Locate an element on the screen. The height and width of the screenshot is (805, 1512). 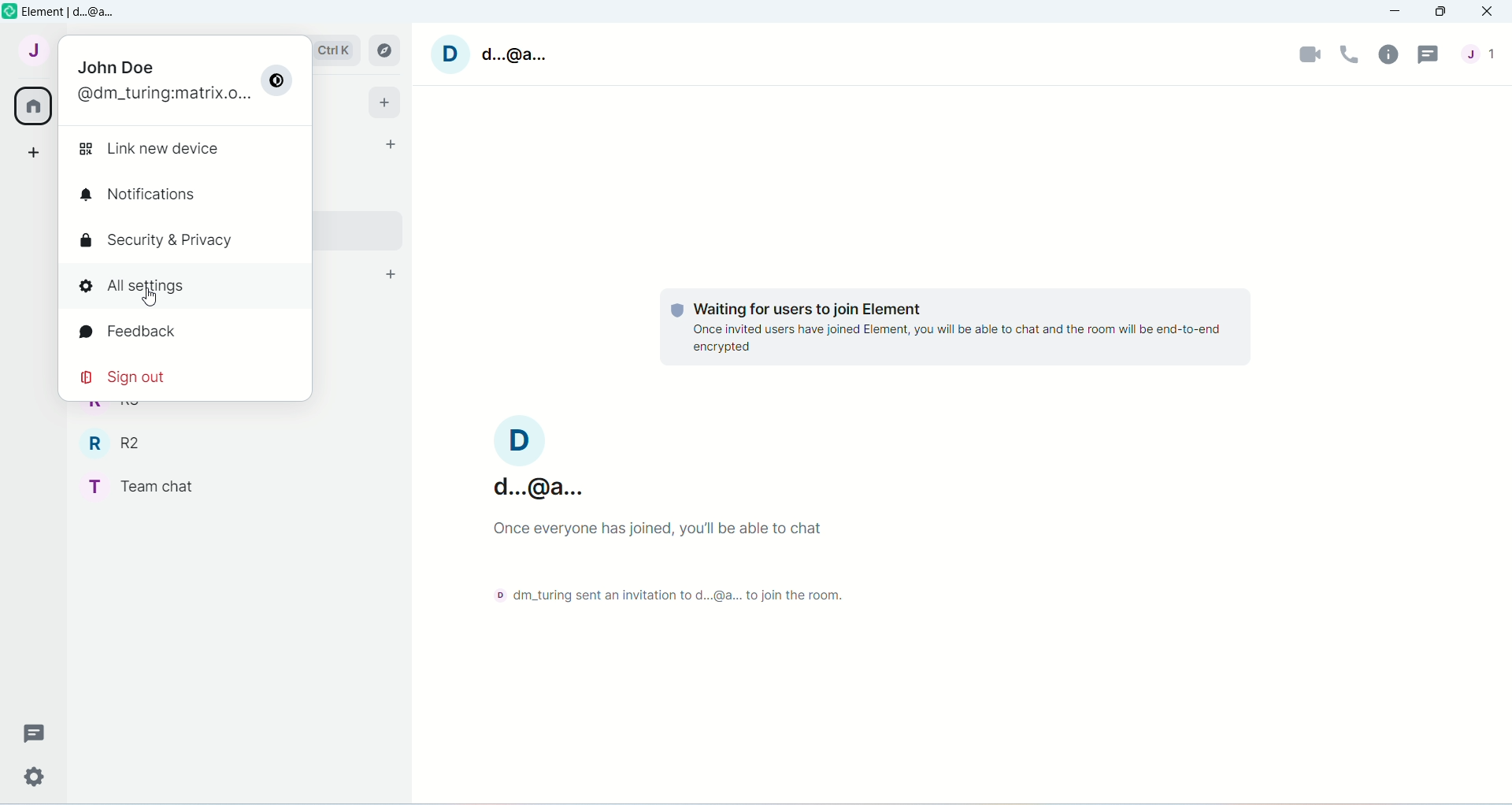
Feedback is located at coordinates (157, 332).